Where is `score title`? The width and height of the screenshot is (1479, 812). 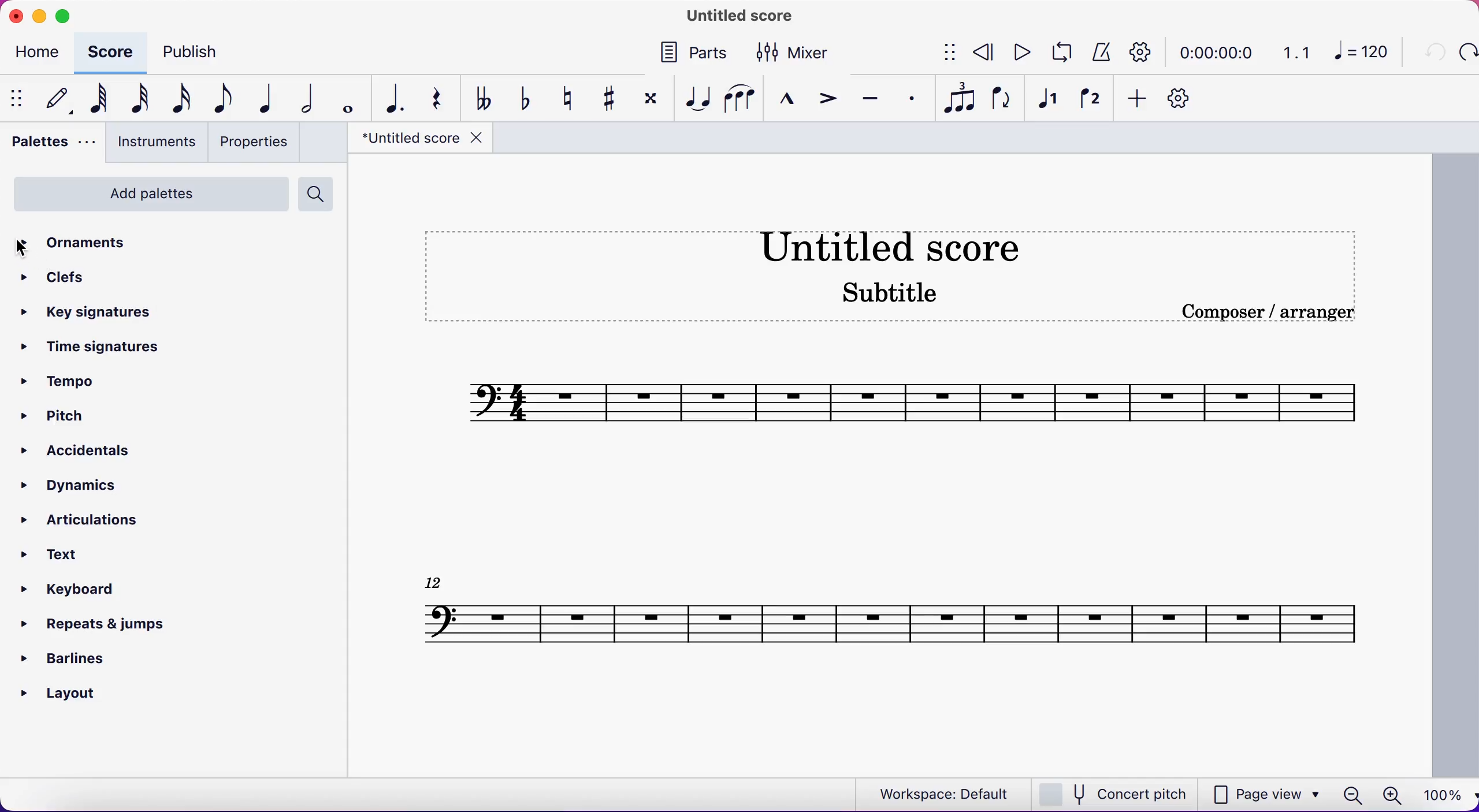
score title is located at coordinates (906, 246).